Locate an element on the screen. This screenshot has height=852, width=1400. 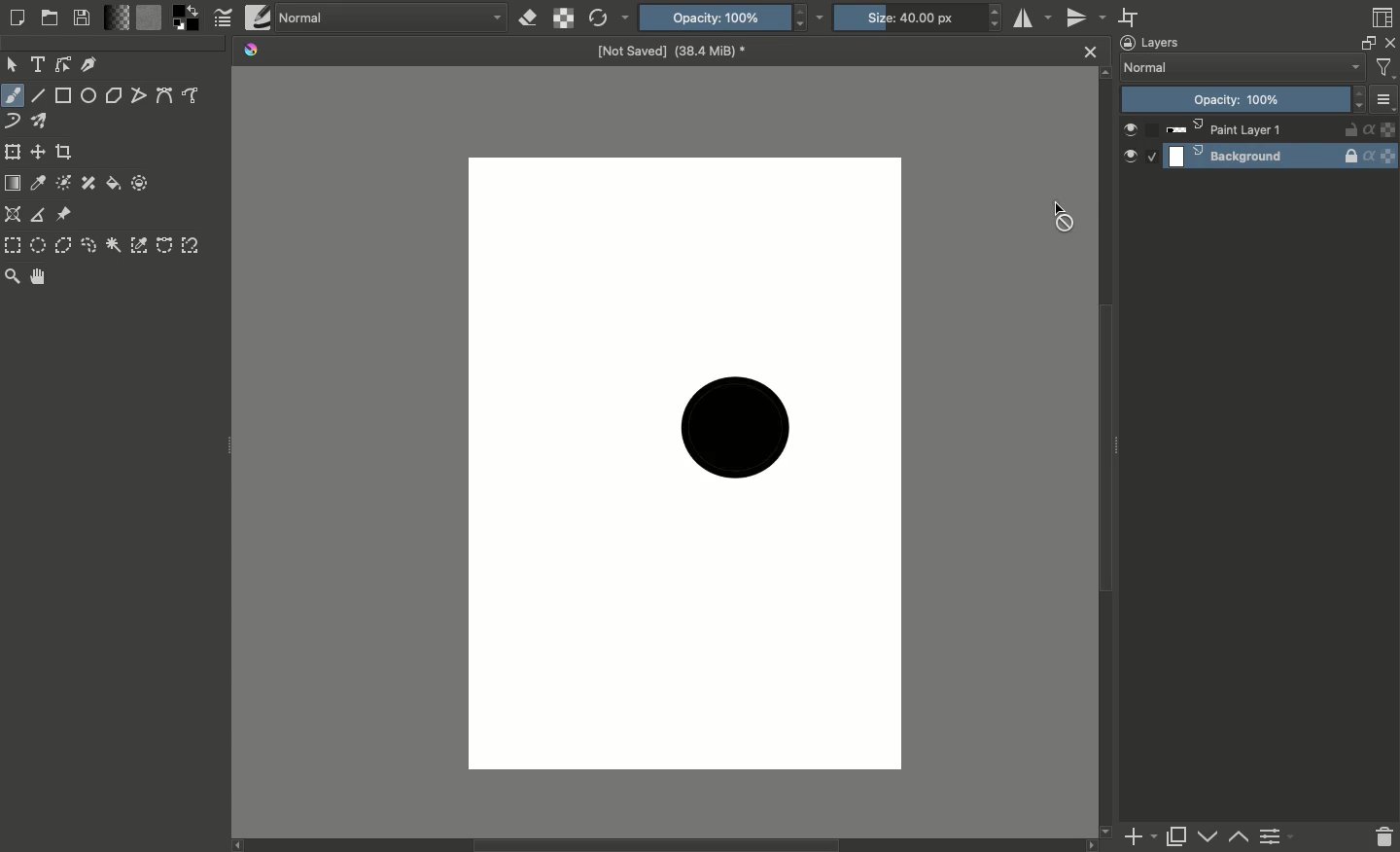
Raise layer is located at coordinates (1208, 838).